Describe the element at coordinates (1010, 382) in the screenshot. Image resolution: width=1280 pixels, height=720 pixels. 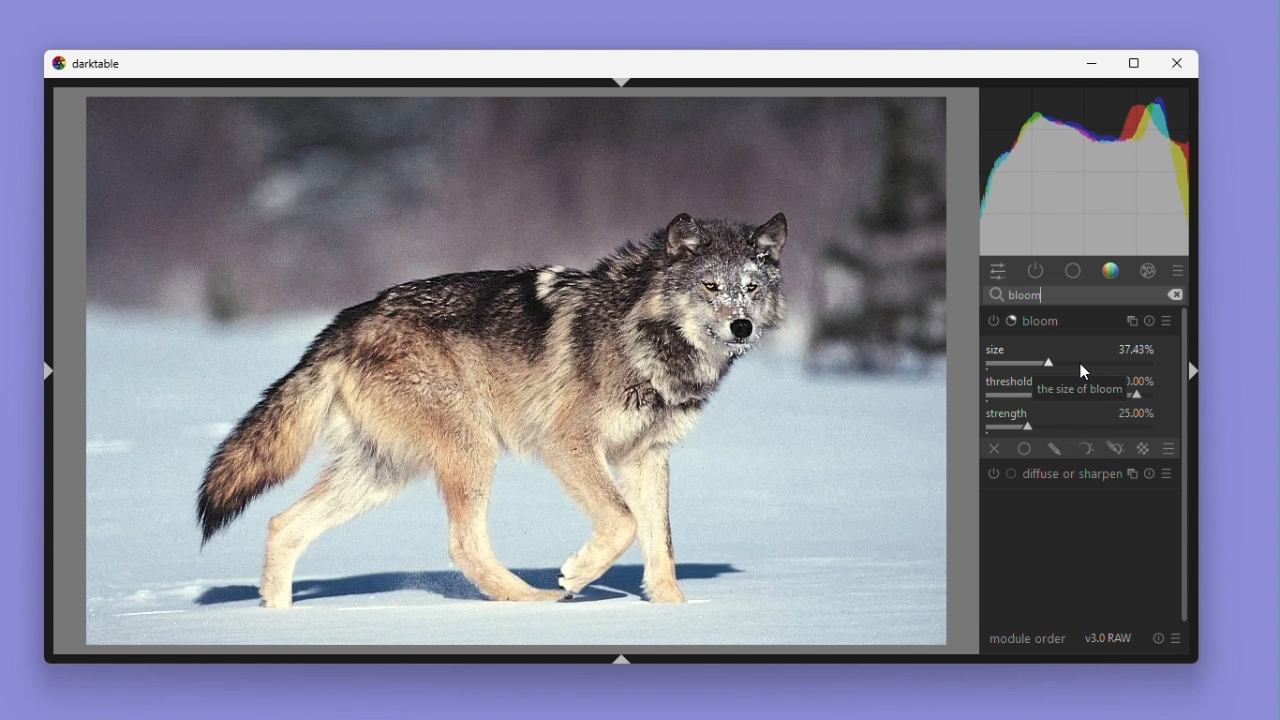
I see `threshold` at that location.